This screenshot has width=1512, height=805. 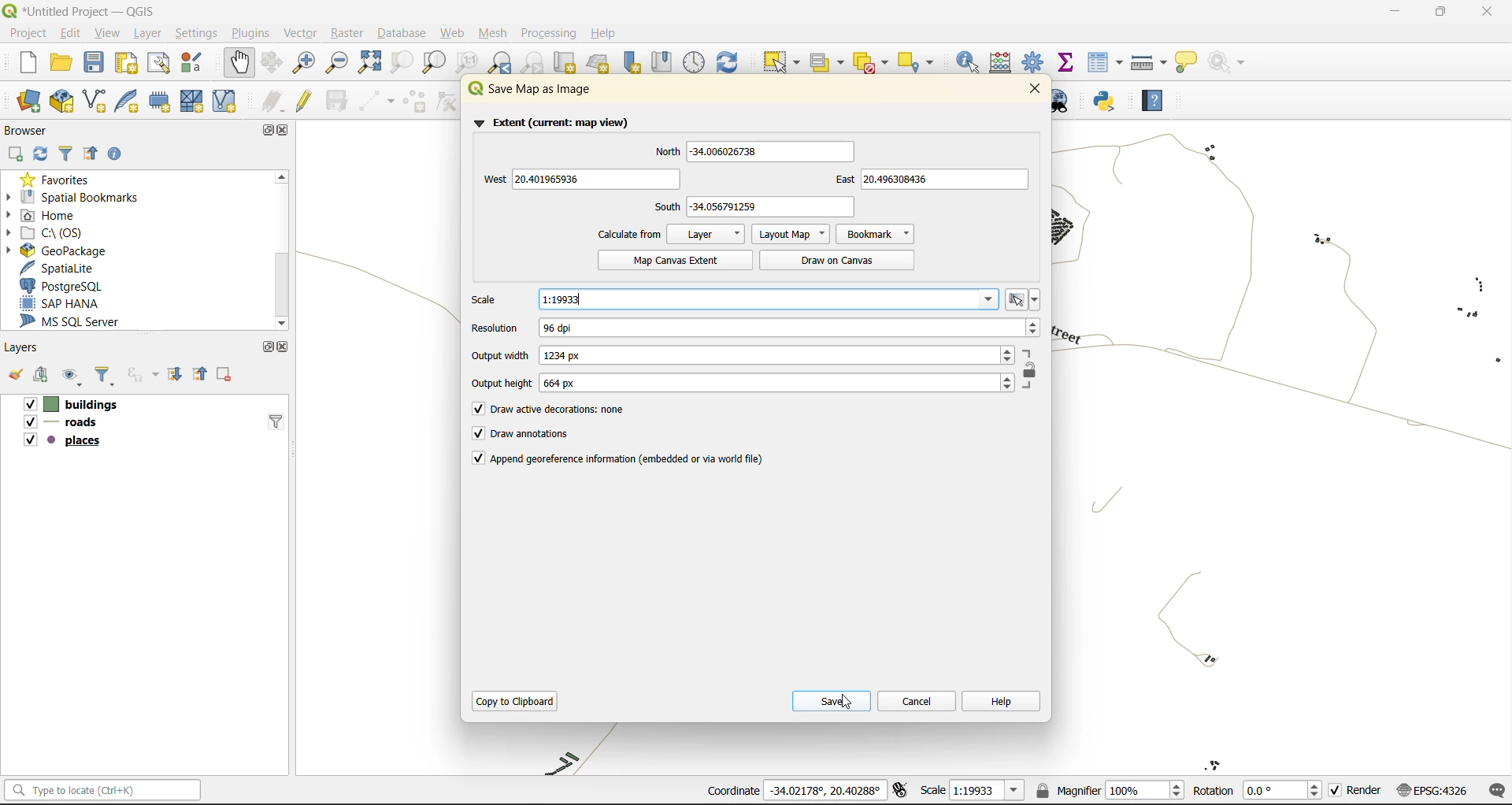 What do you see at coordinates (61, 252) in the screenshot?
I see `geopackage` at bounding box center [61, 252].